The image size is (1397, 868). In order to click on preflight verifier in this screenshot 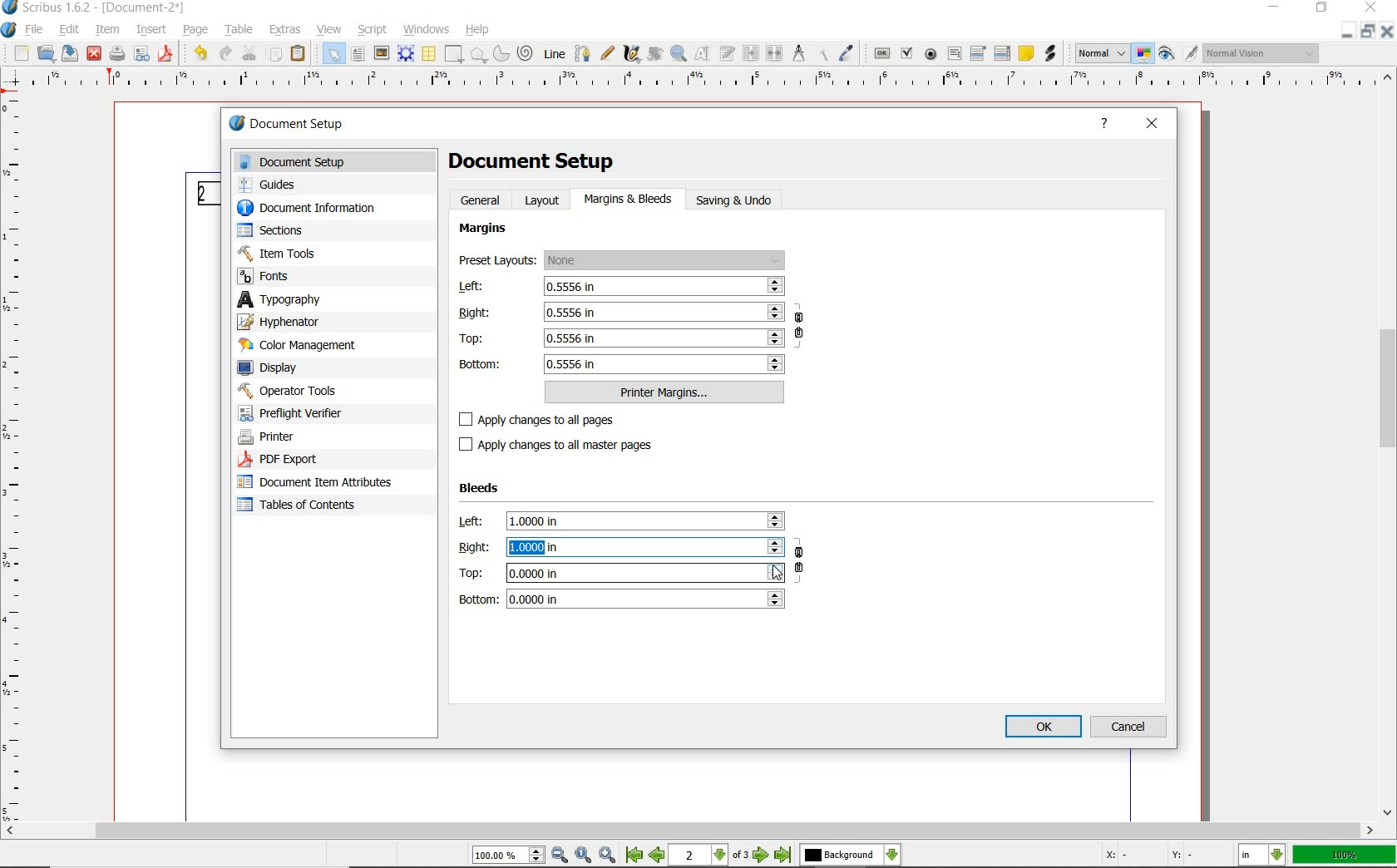, I will do `click(294, 415)`.